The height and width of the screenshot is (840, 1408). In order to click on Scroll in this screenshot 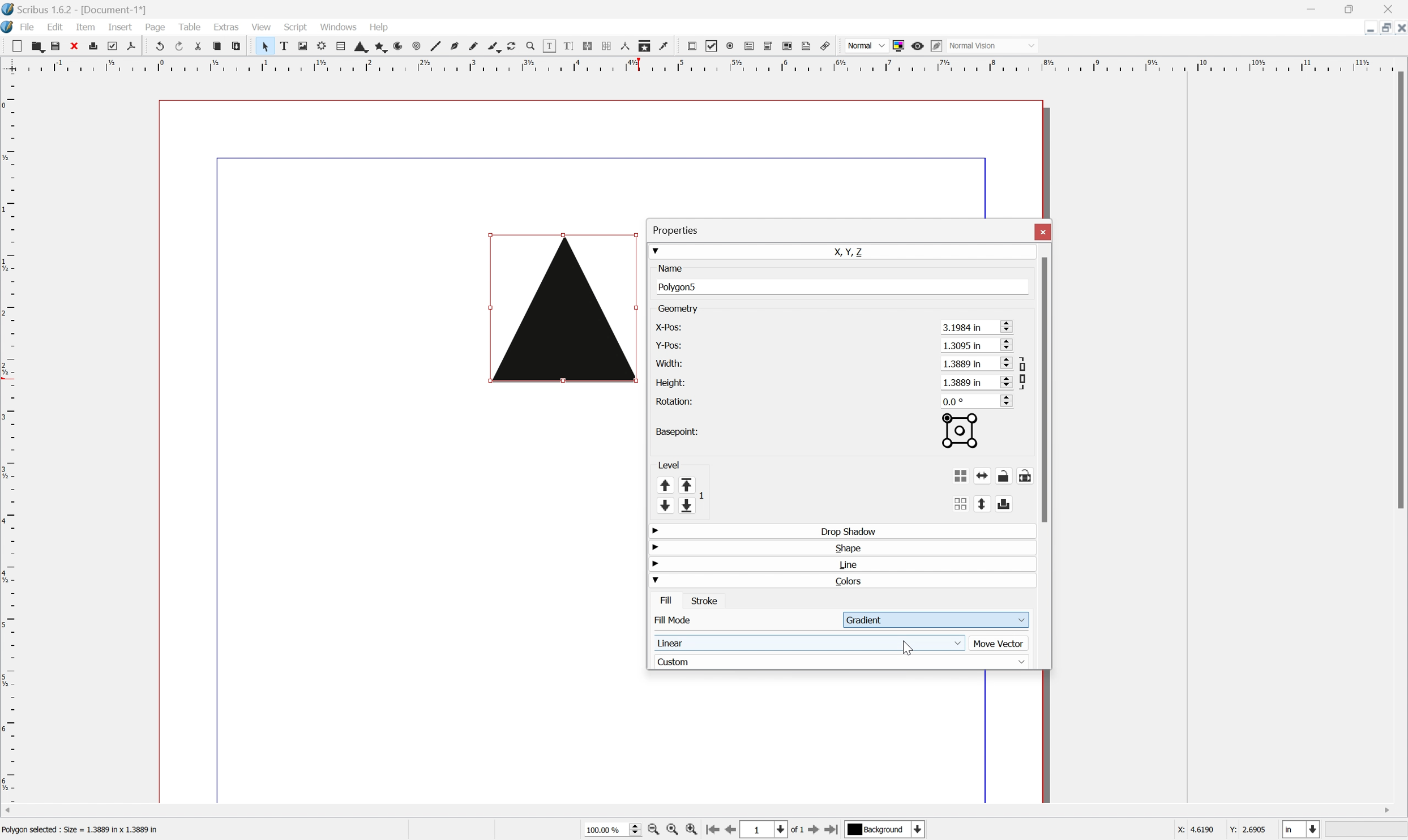, I will do `click(1018, 381)`.